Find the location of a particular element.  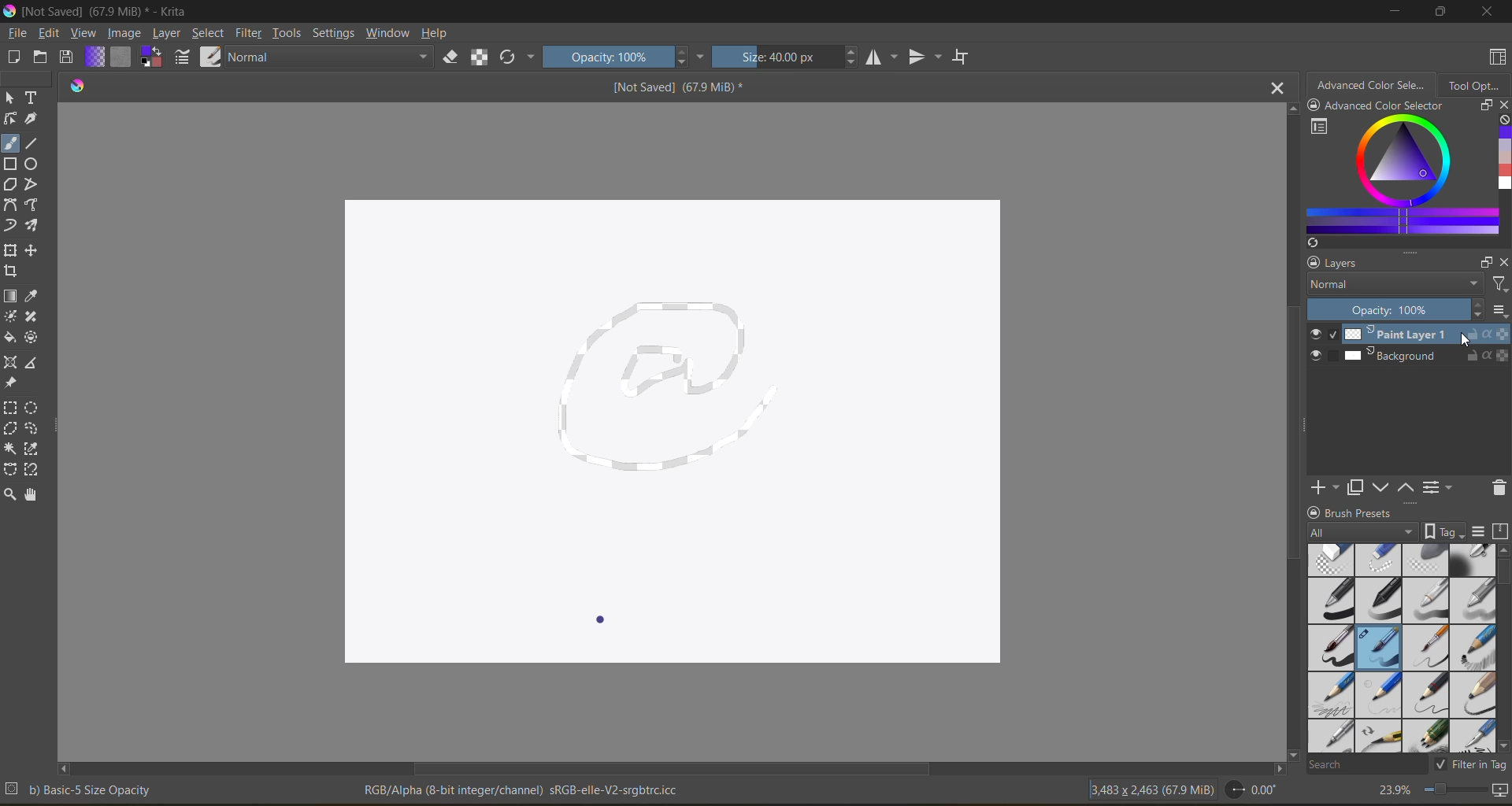

size is located at coordinates (776, 57).